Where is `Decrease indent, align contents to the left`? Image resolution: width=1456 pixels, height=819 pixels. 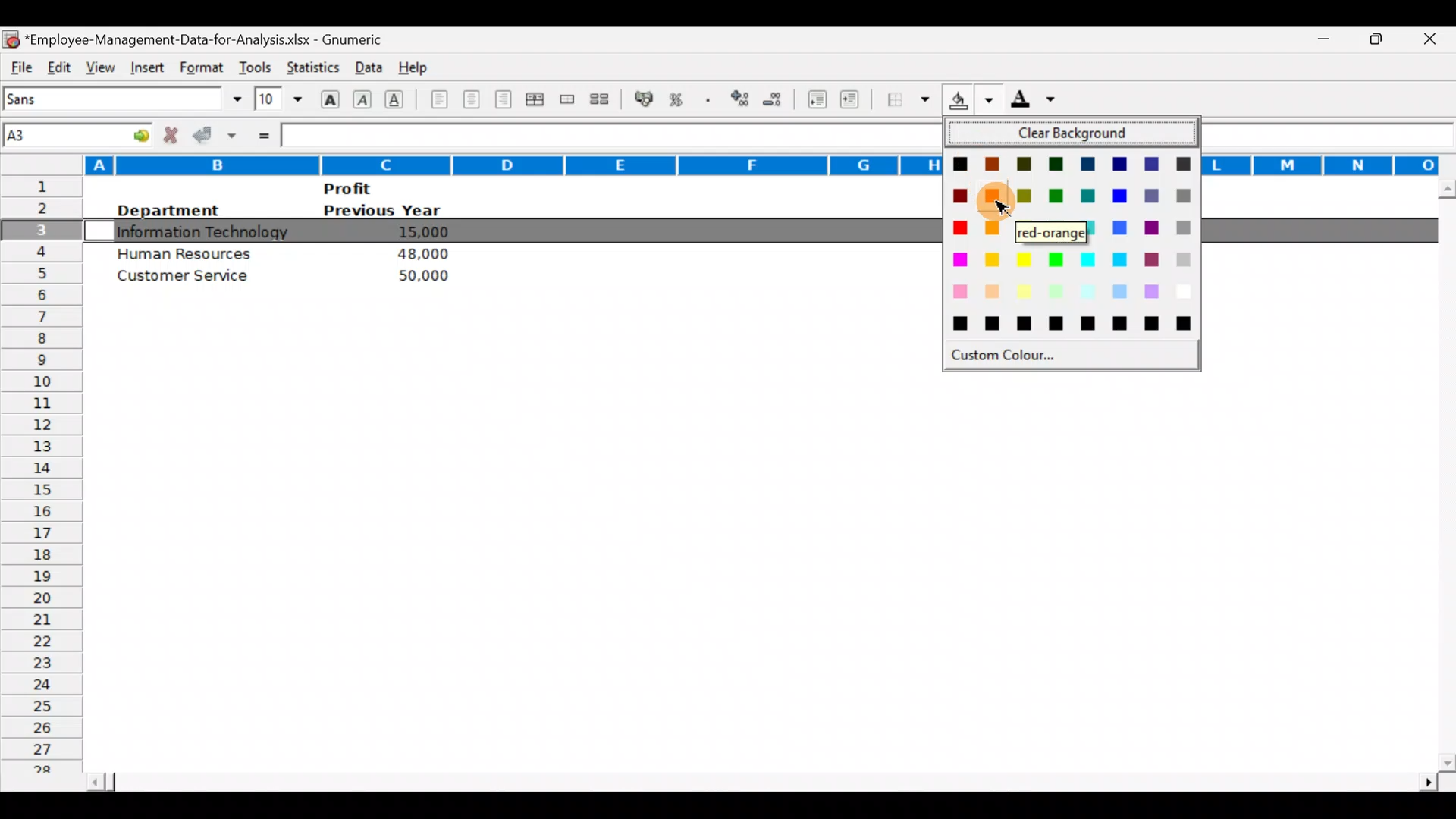
Decrease indent, align contents to the left is located at coordinates (819, 101).